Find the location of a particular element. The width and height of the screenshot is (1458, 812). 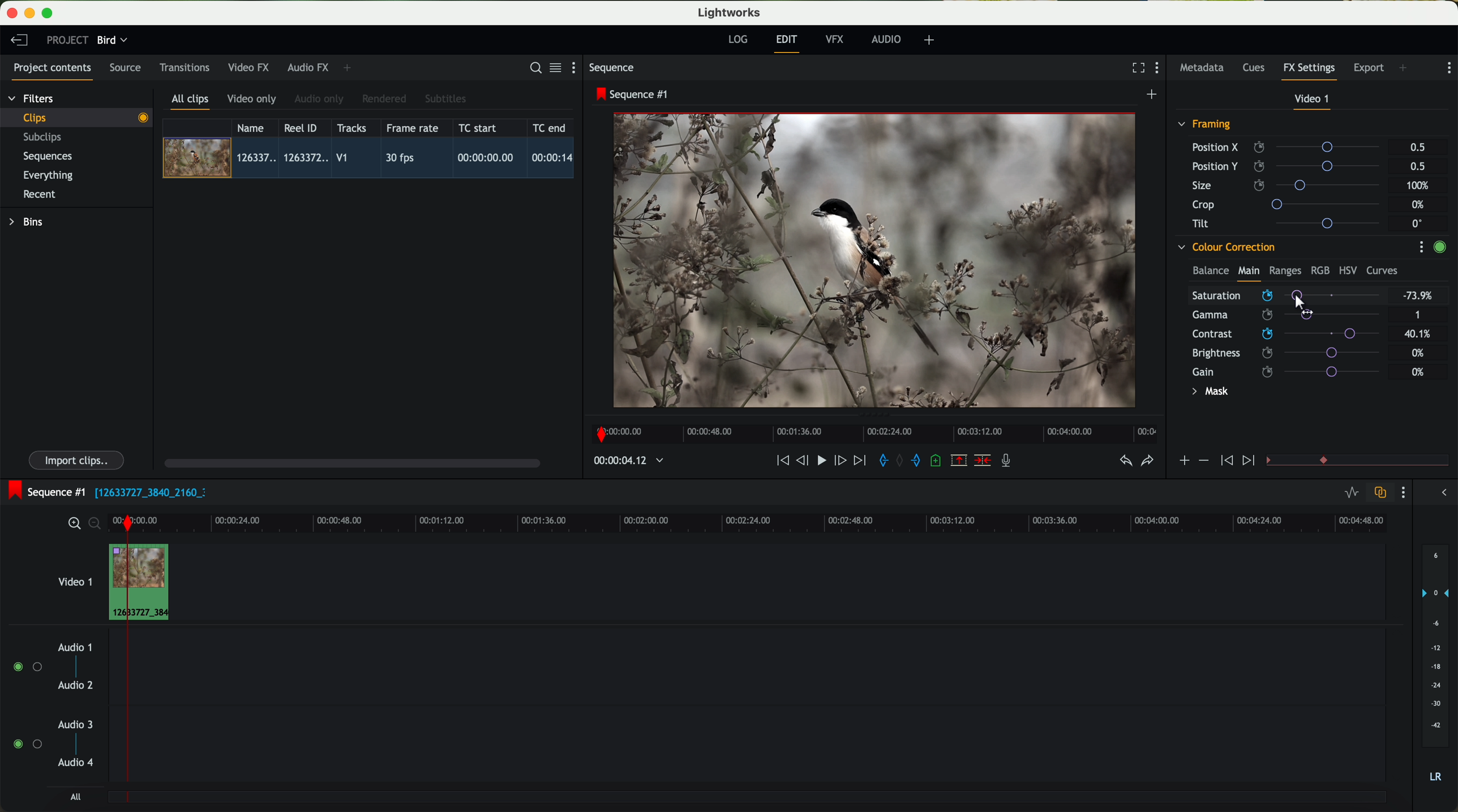

everything is located at coordinates (49, 175).